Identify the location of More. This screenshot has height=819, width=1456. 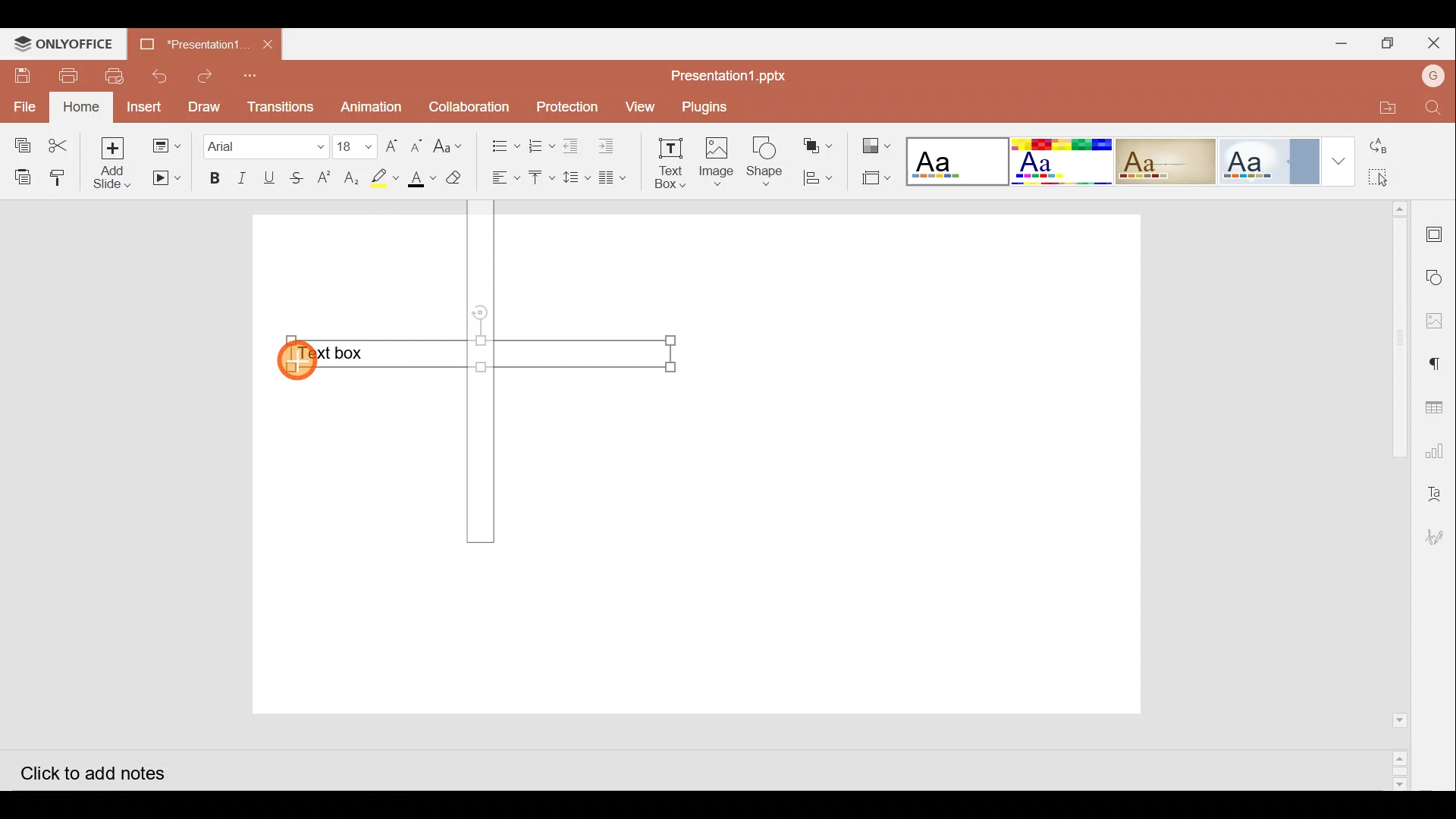
(1339, 161).